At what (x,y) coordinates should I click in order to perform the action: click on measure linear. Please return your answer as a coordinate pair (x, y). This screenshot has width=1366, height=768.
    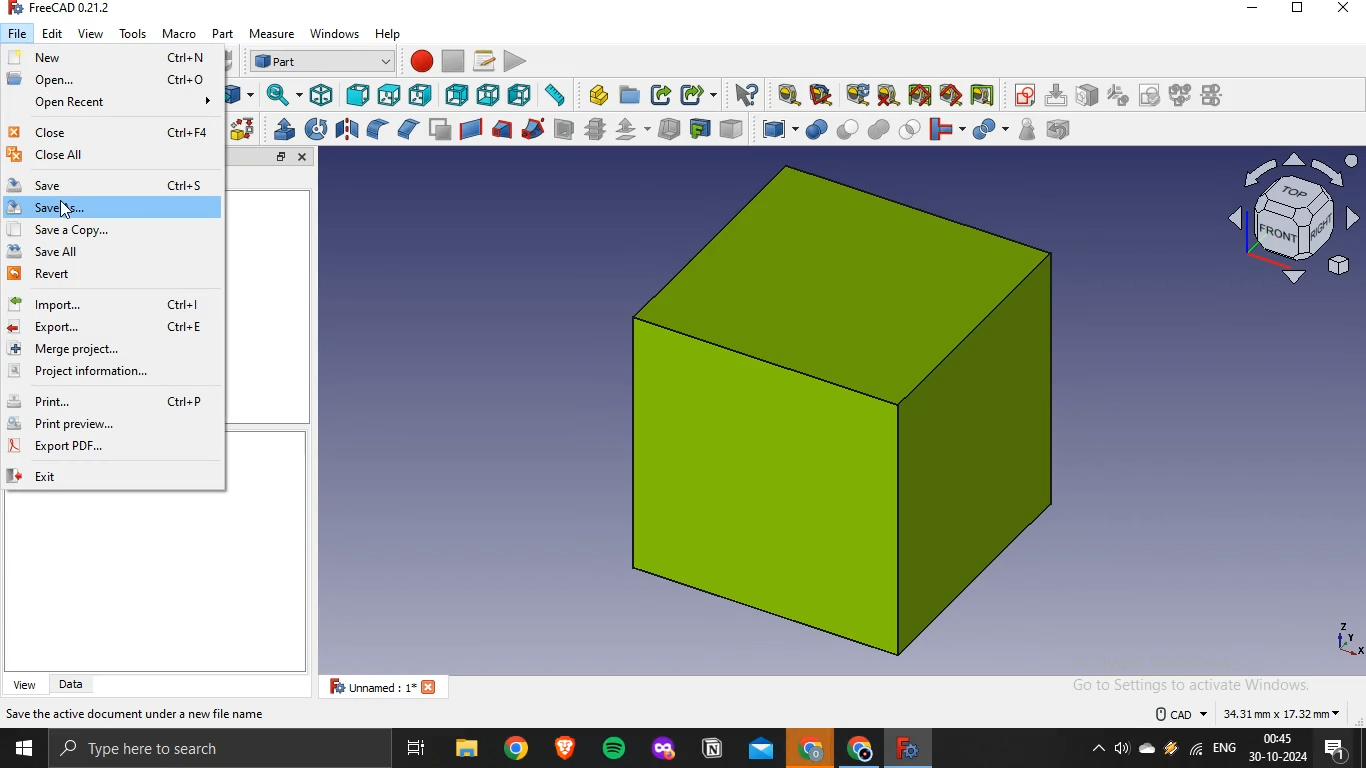
    Looking at the image, I should click on (790, 94).